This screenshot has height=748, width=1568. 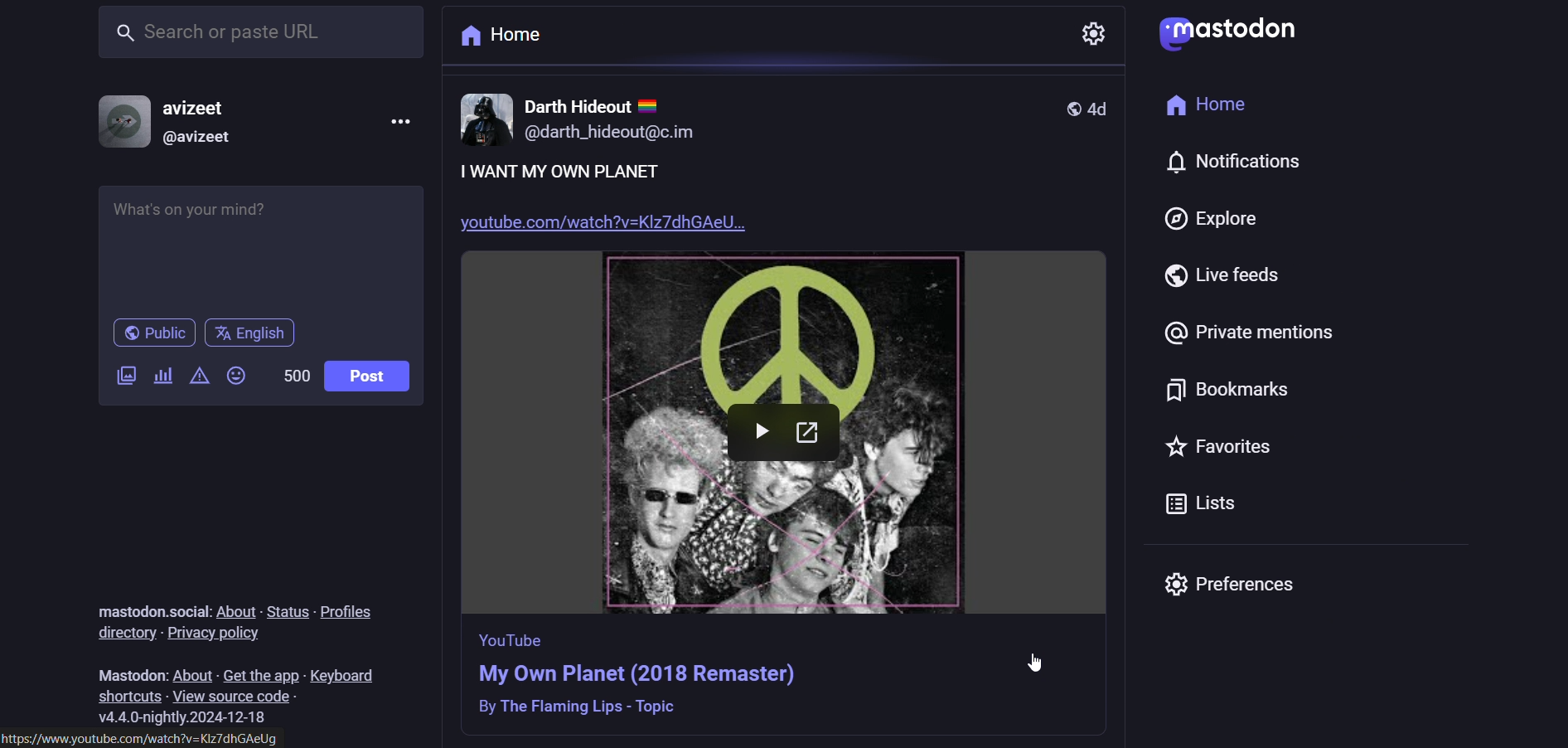 What do you see at coordinates (200, 102) in the screenshot?
I see `username` at bounding box center [200, 102].